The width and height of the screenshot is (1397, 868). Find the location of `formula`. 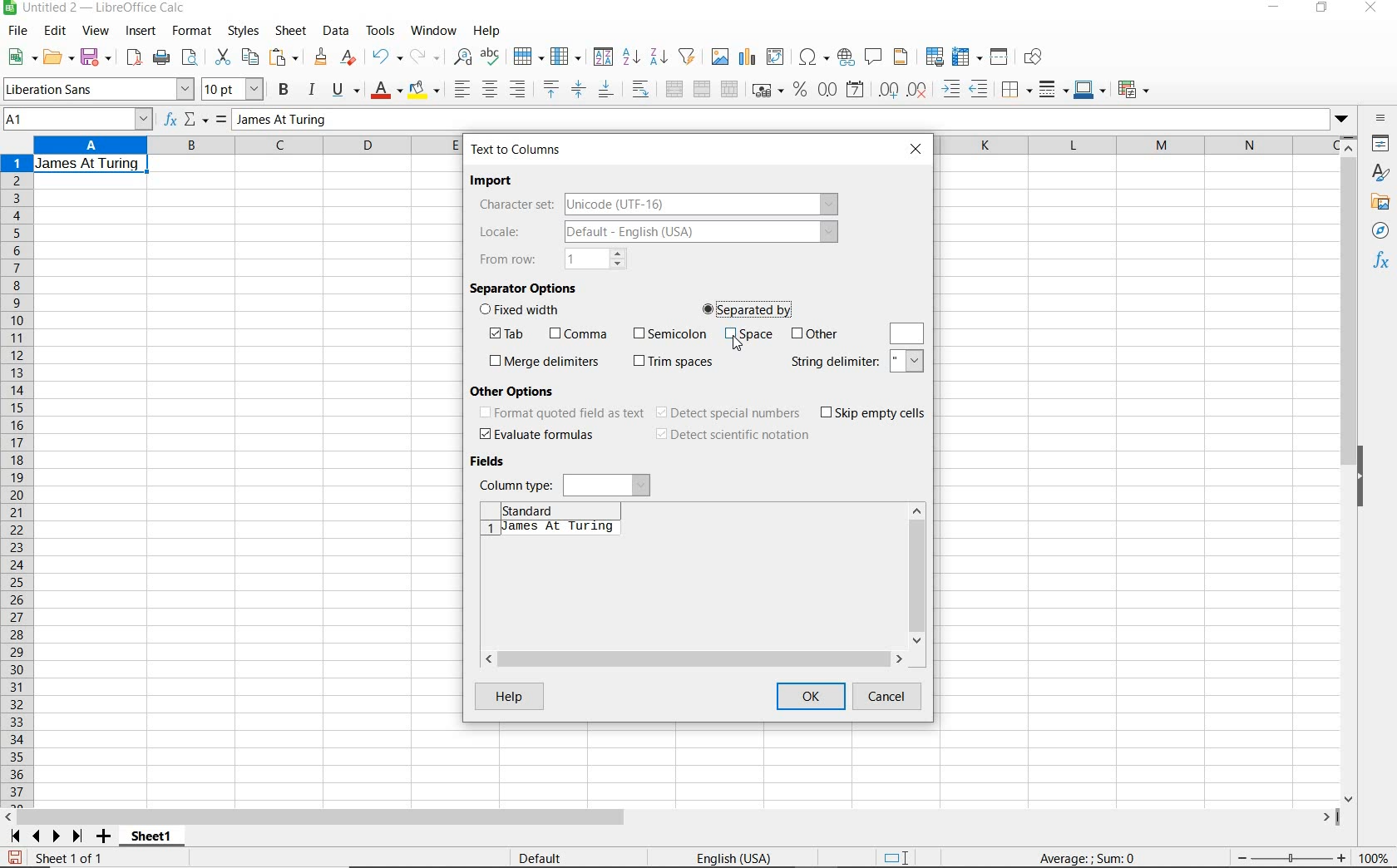

formula is located at coordinates (220, 121).